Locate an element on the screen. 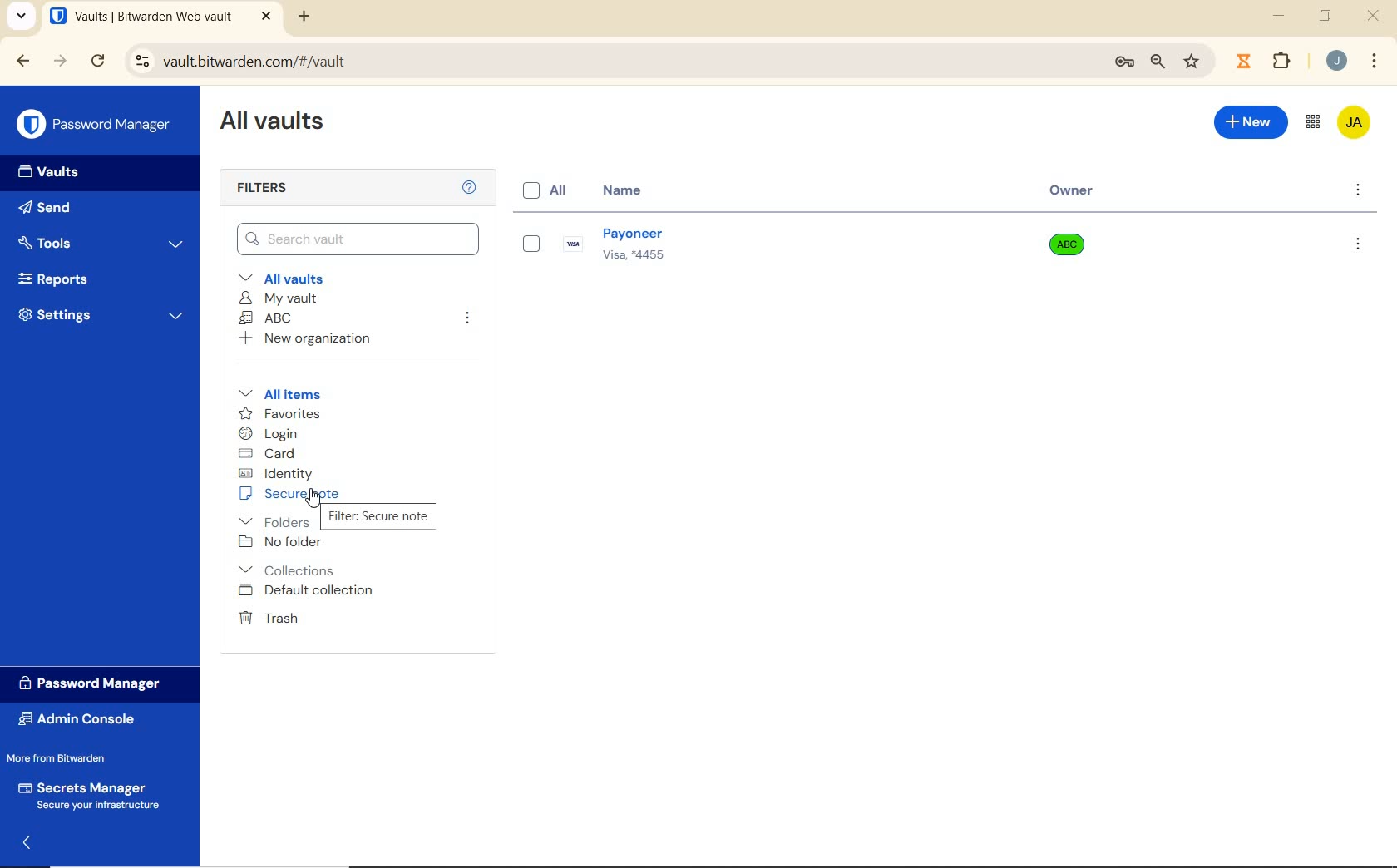 This screenshot has height=868, width=1397. Filters is located at coordinates (281, 189).